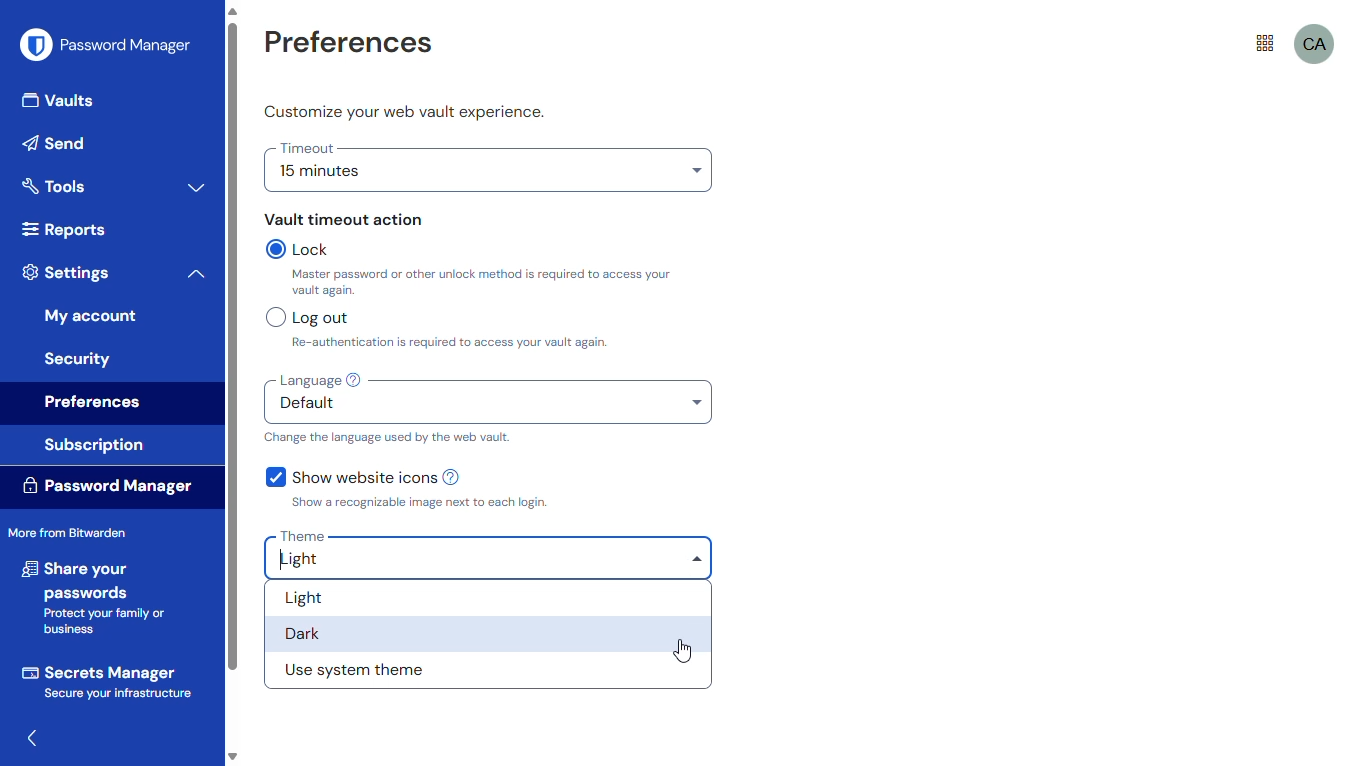 The image size is (1366, 766). Describe the element at coordinates (307, 380) in the screenshot. I see `language` at that location.